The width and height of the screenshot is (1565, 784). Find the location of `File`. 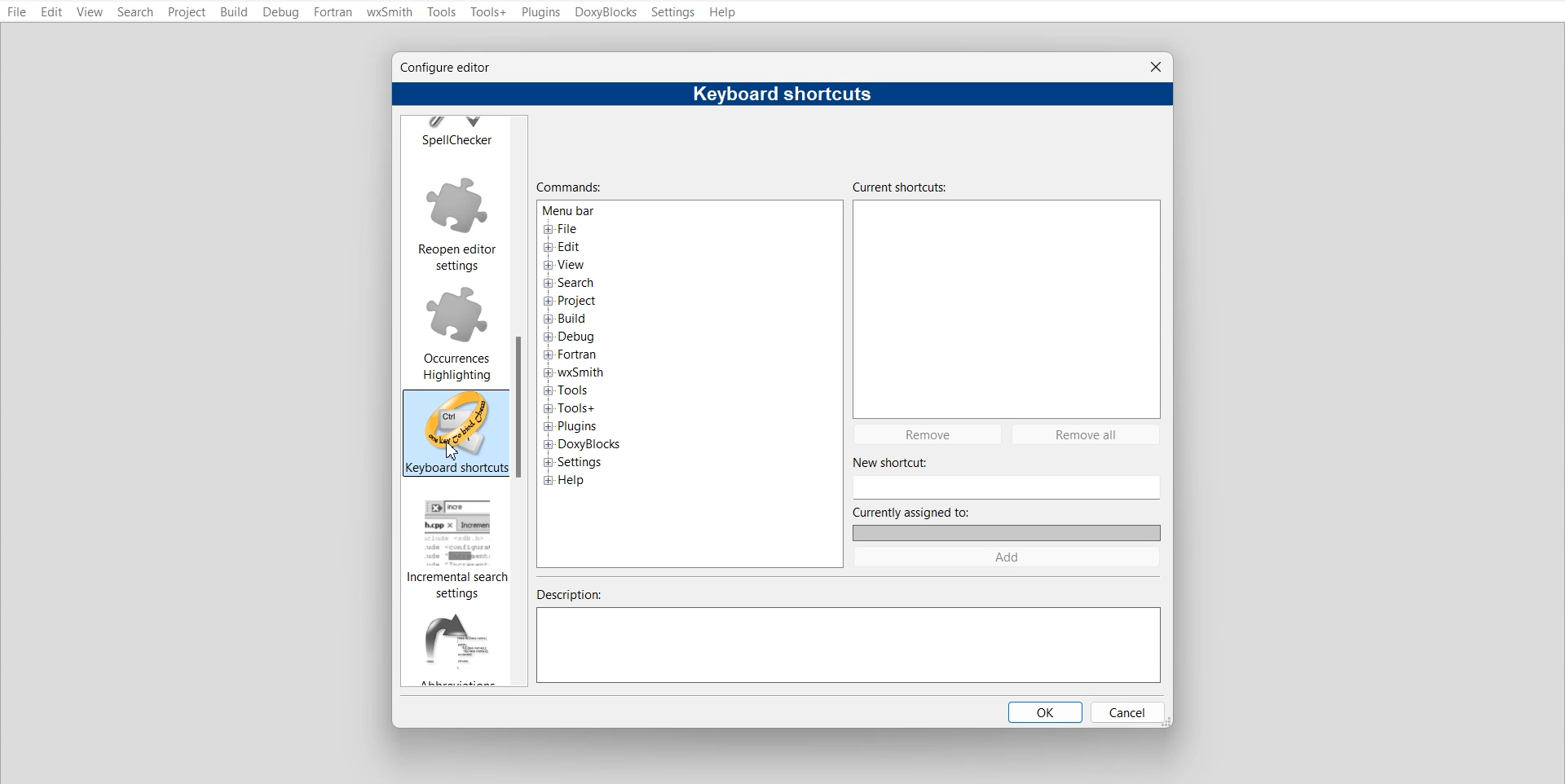

File is located at coordinates (16, 11).